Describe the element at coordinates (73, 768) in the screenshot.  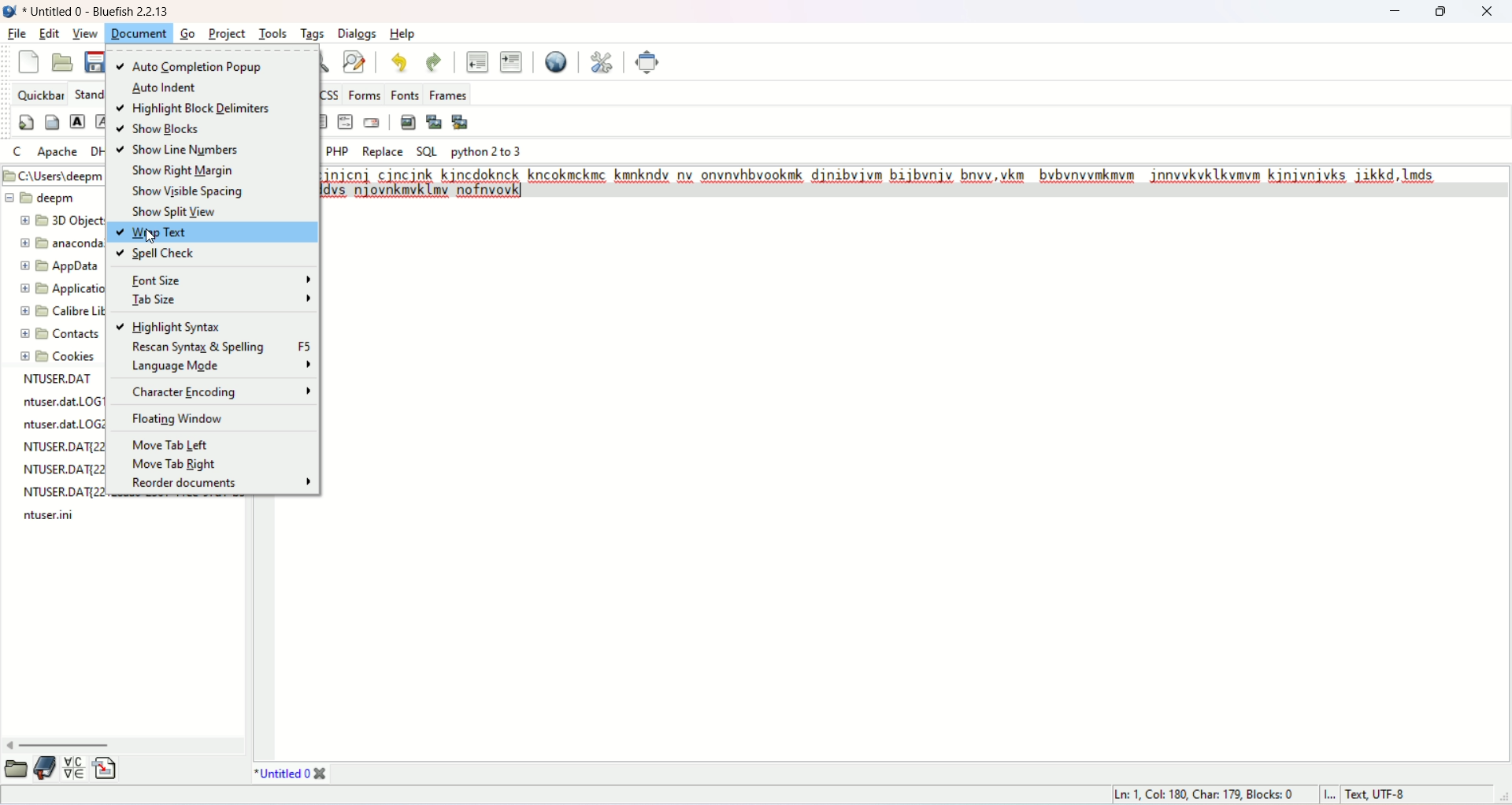
I see `insert special character` at that location.